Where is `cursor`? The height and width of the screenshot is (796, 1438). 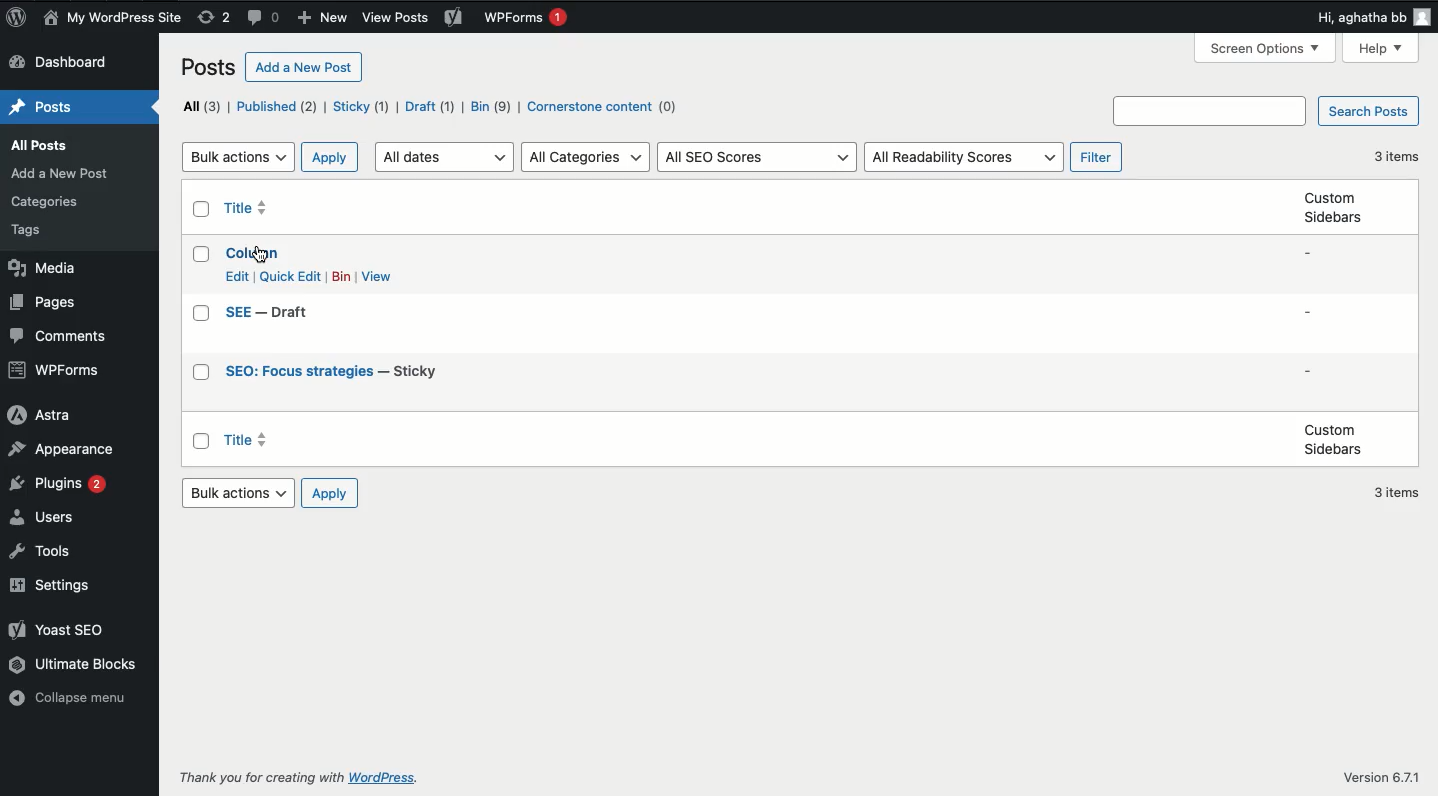 cursor is located at coordinates (262, 254).